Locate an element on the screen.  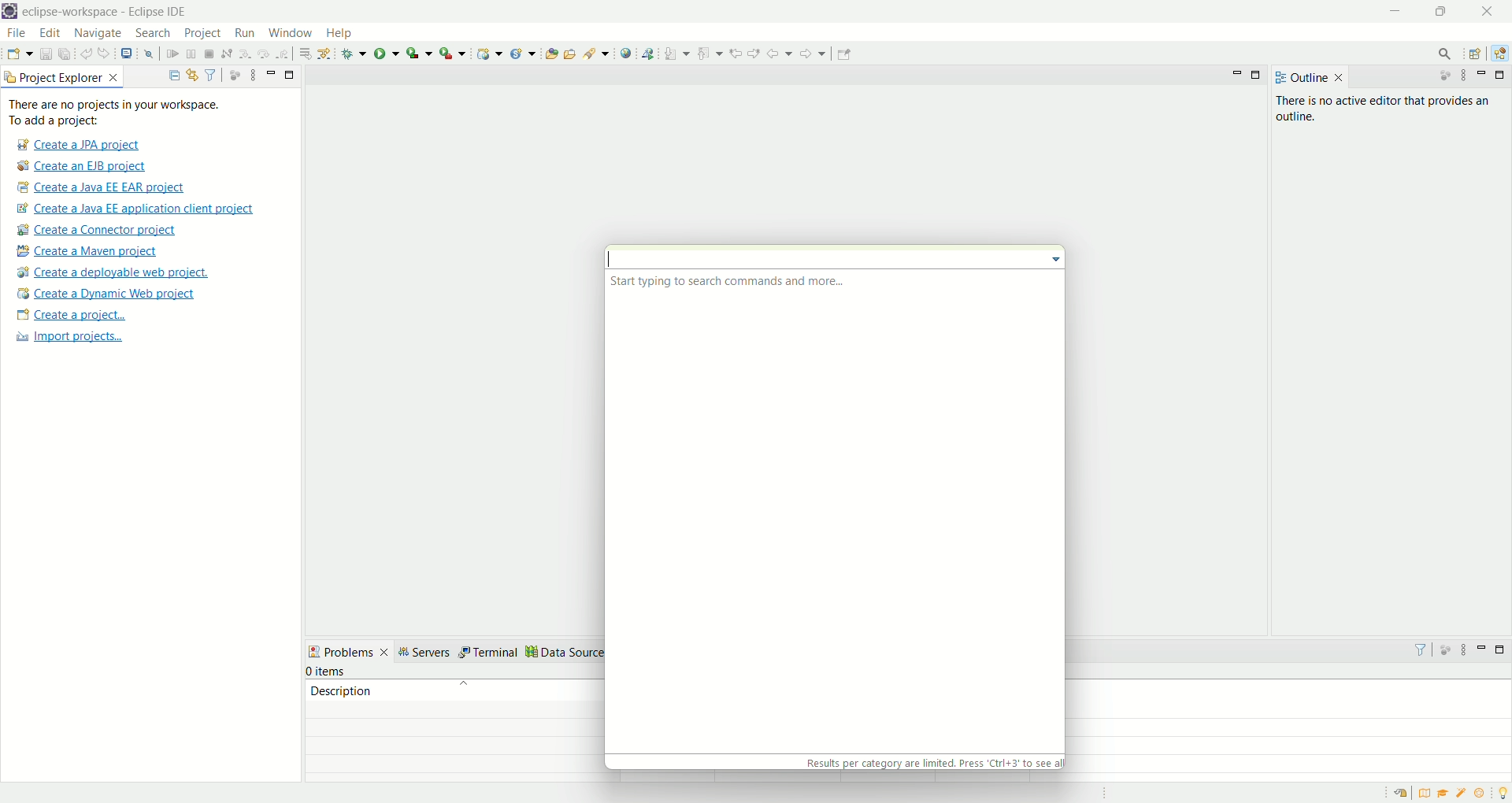
create a JPA project is located at coordinates (80, 146).